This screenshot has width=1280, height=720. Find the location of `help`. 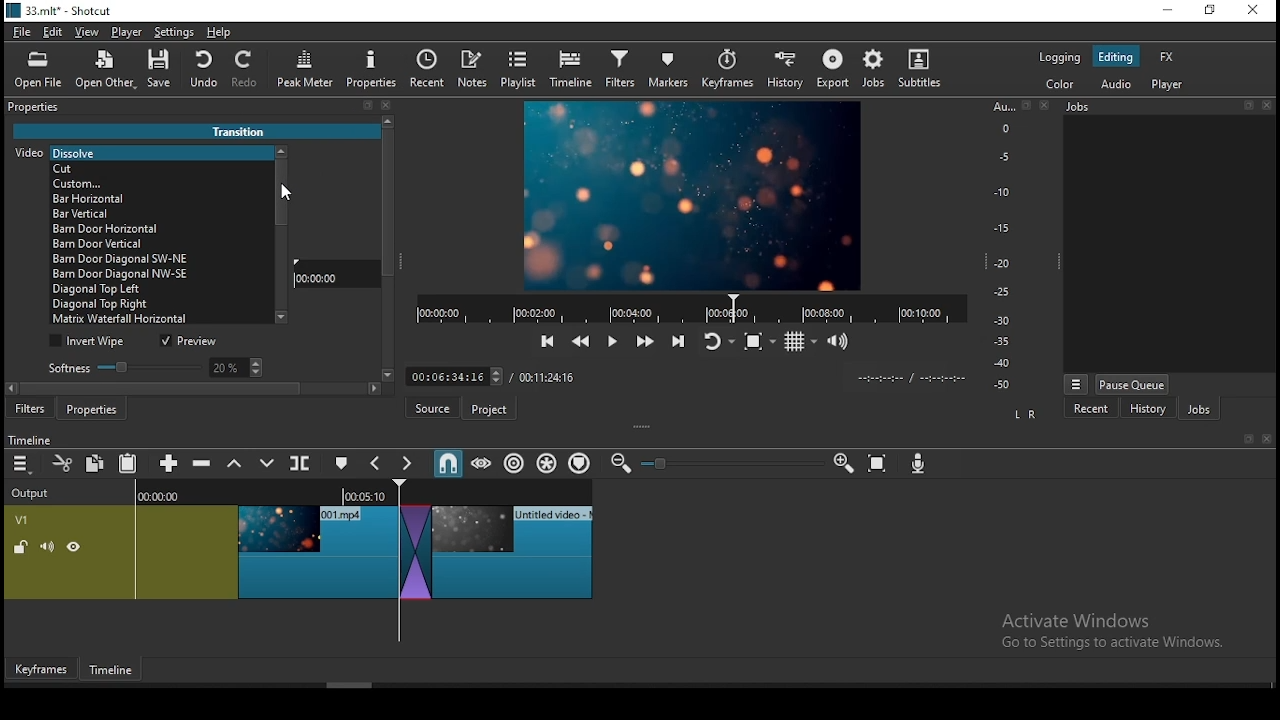

help is located at coordinates (216, 32).